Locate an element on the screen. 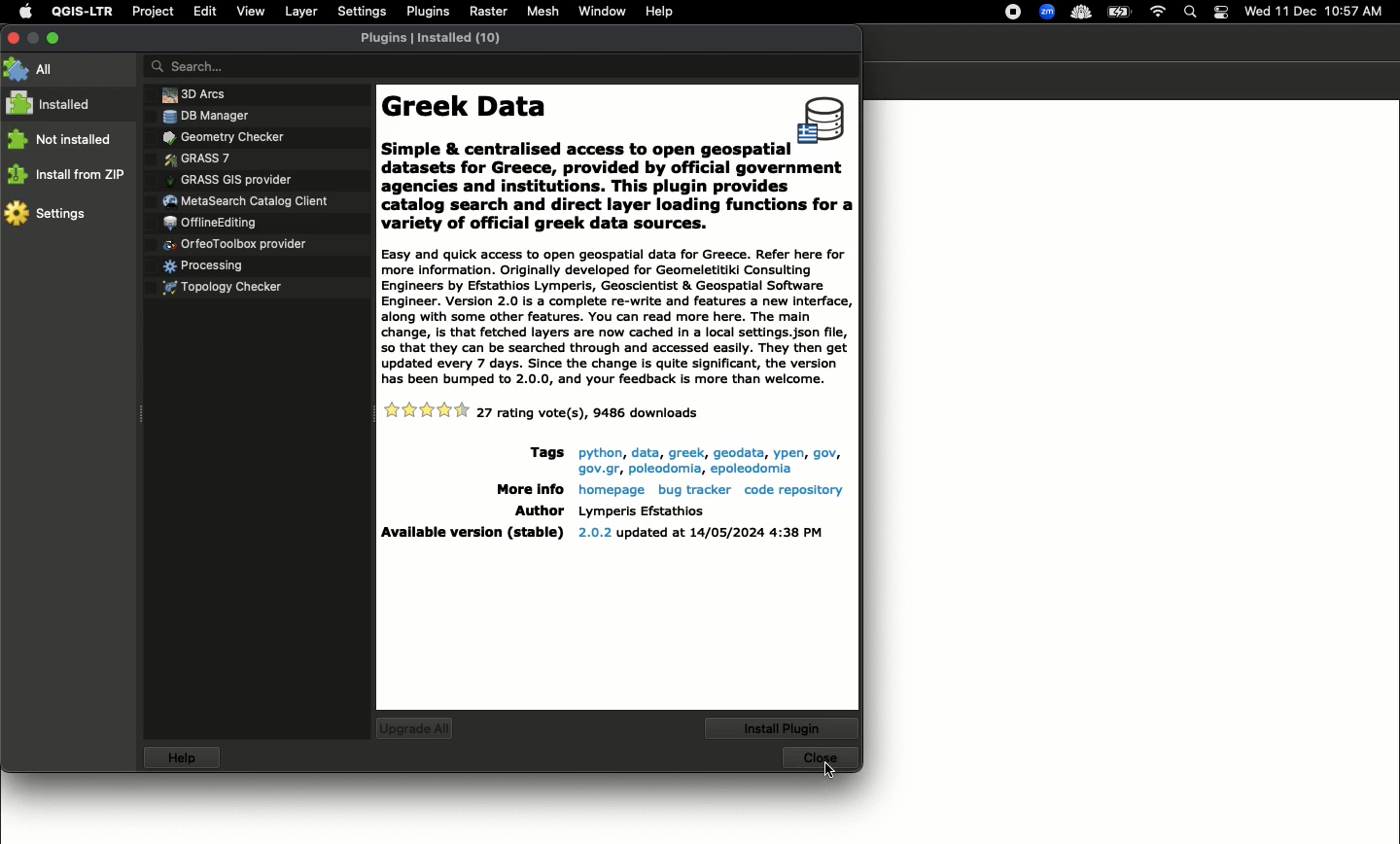 This screenshot has height=844, width=1400. Extension is located at coordinates (1049, 13).